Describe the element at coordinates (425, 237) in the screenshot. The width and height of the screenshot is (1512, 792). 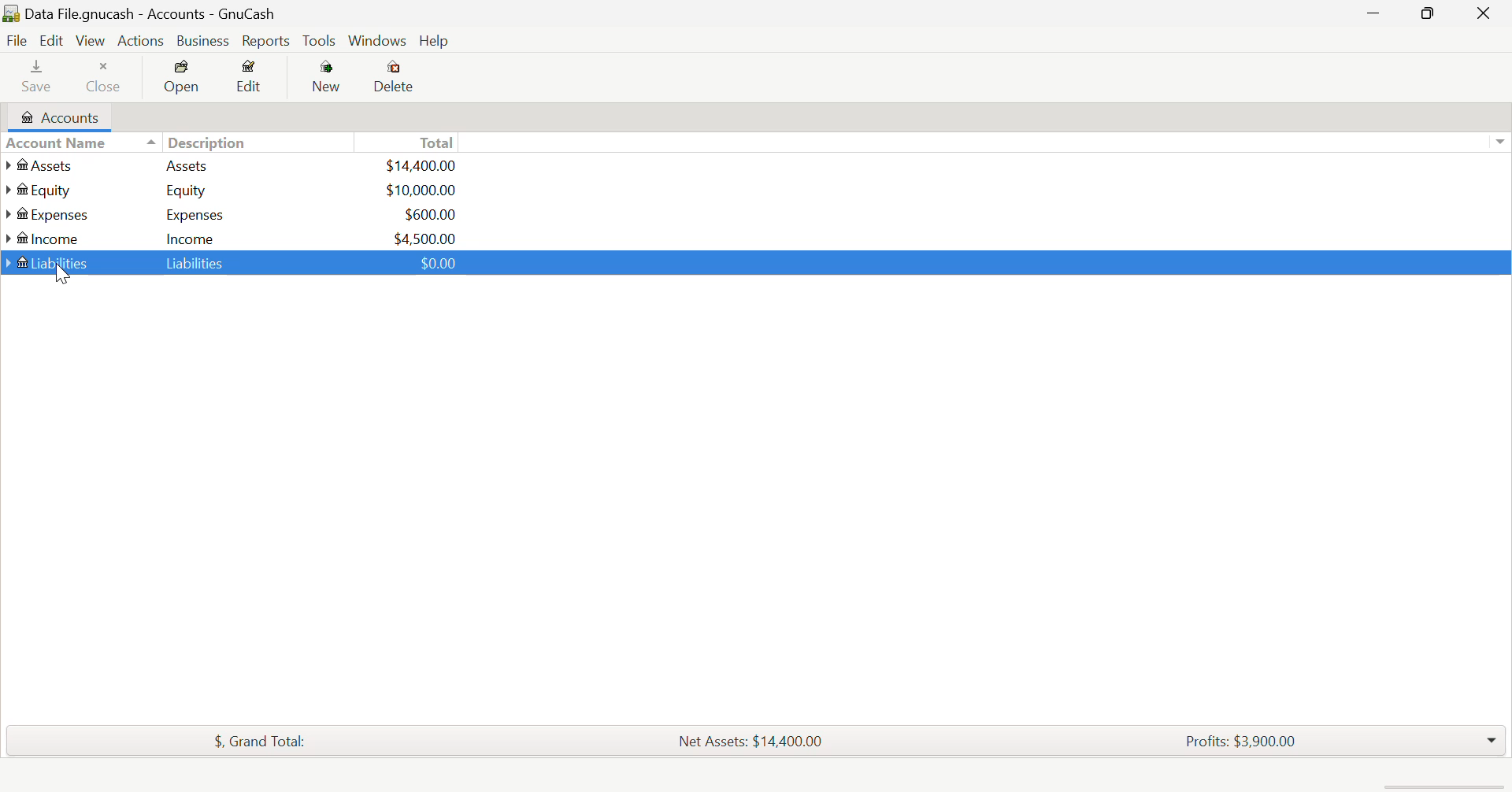
I see `USD` at that location.